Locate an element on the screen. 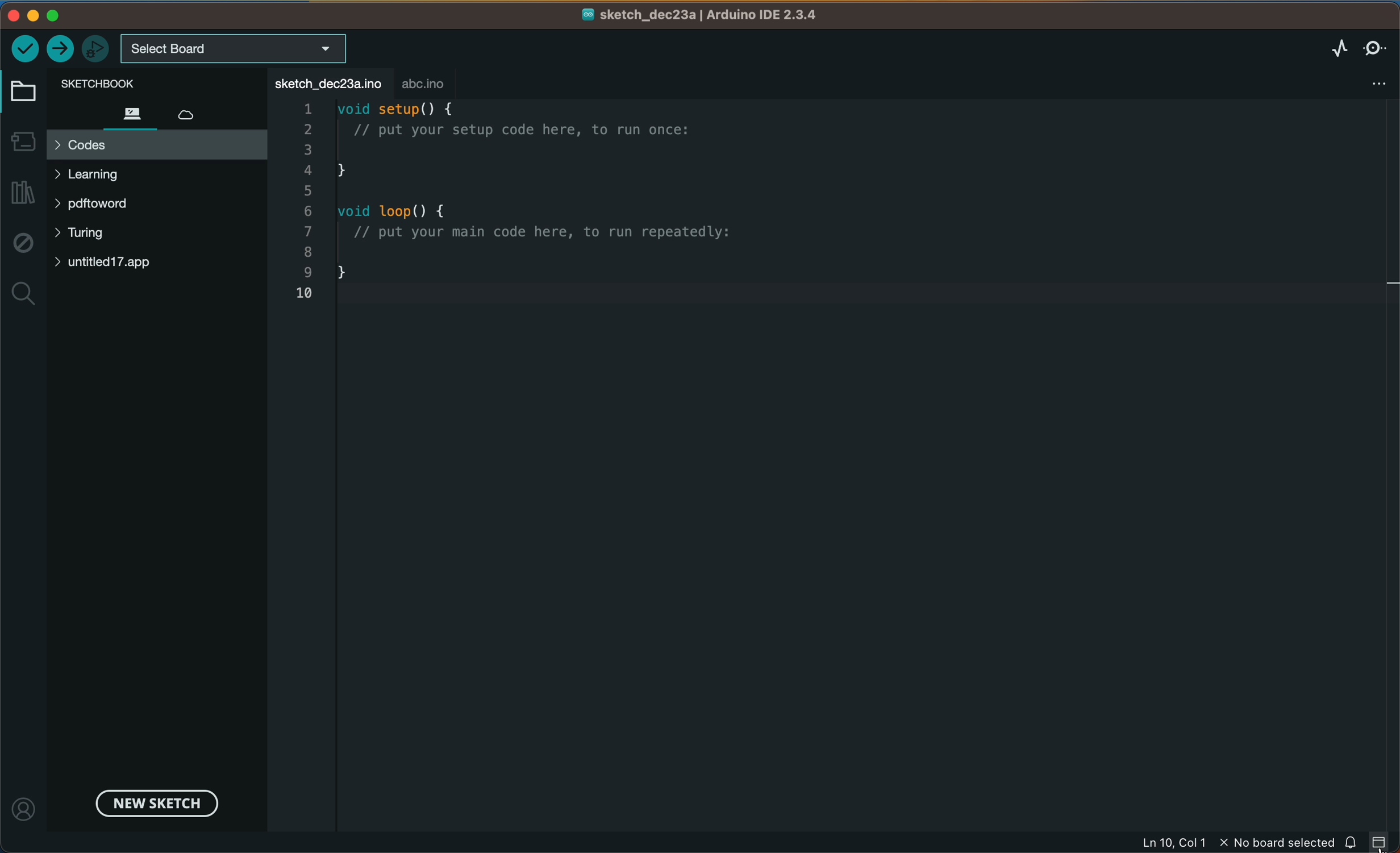 Image resolution: width=1400 pixels, height=853 pixels. code is located at coordinates (542, 199).